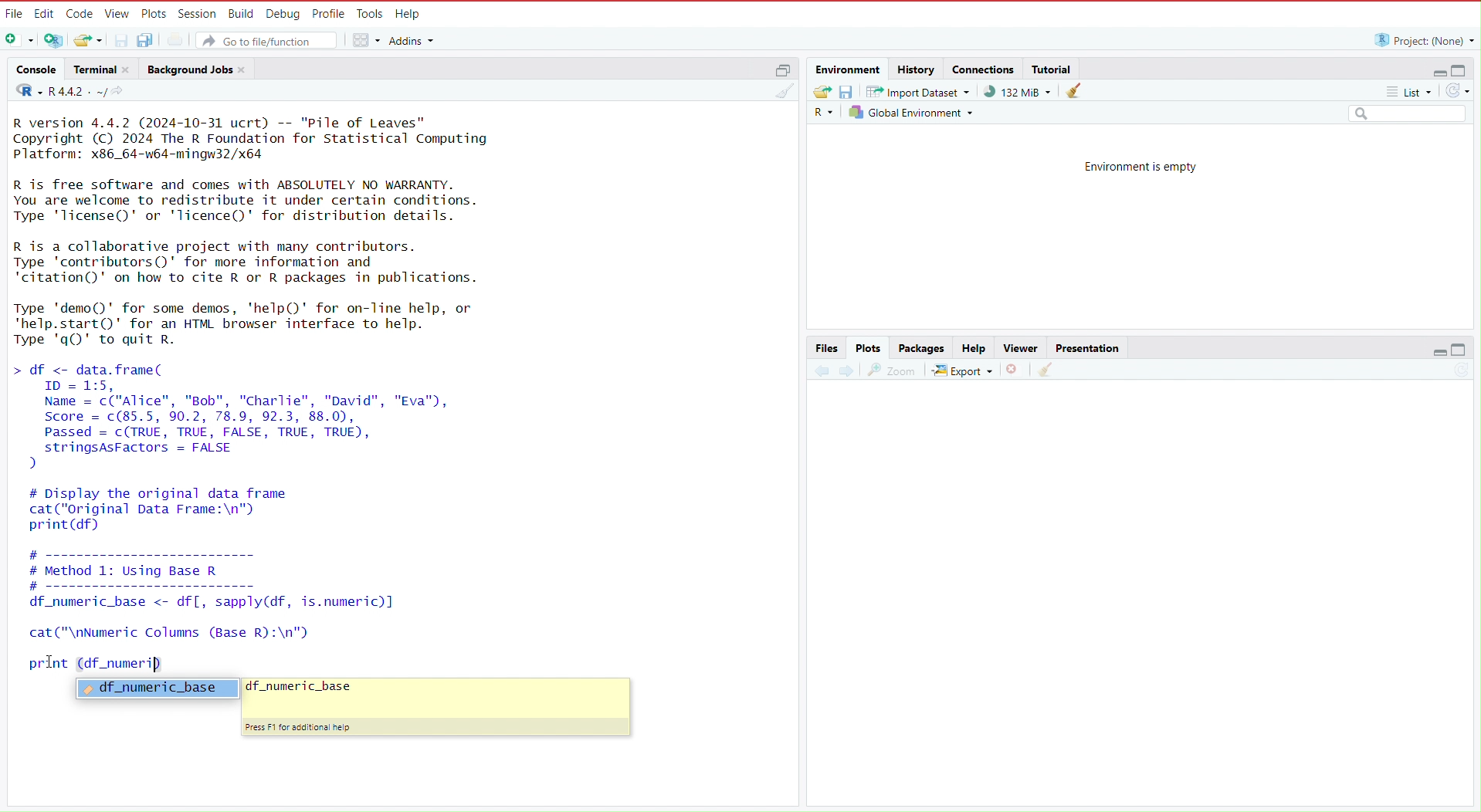 The height and width of the screenshot is (812, 1481). Describe the element at coordinates (22, 90) in the screenshot. I see `language select` at that location.